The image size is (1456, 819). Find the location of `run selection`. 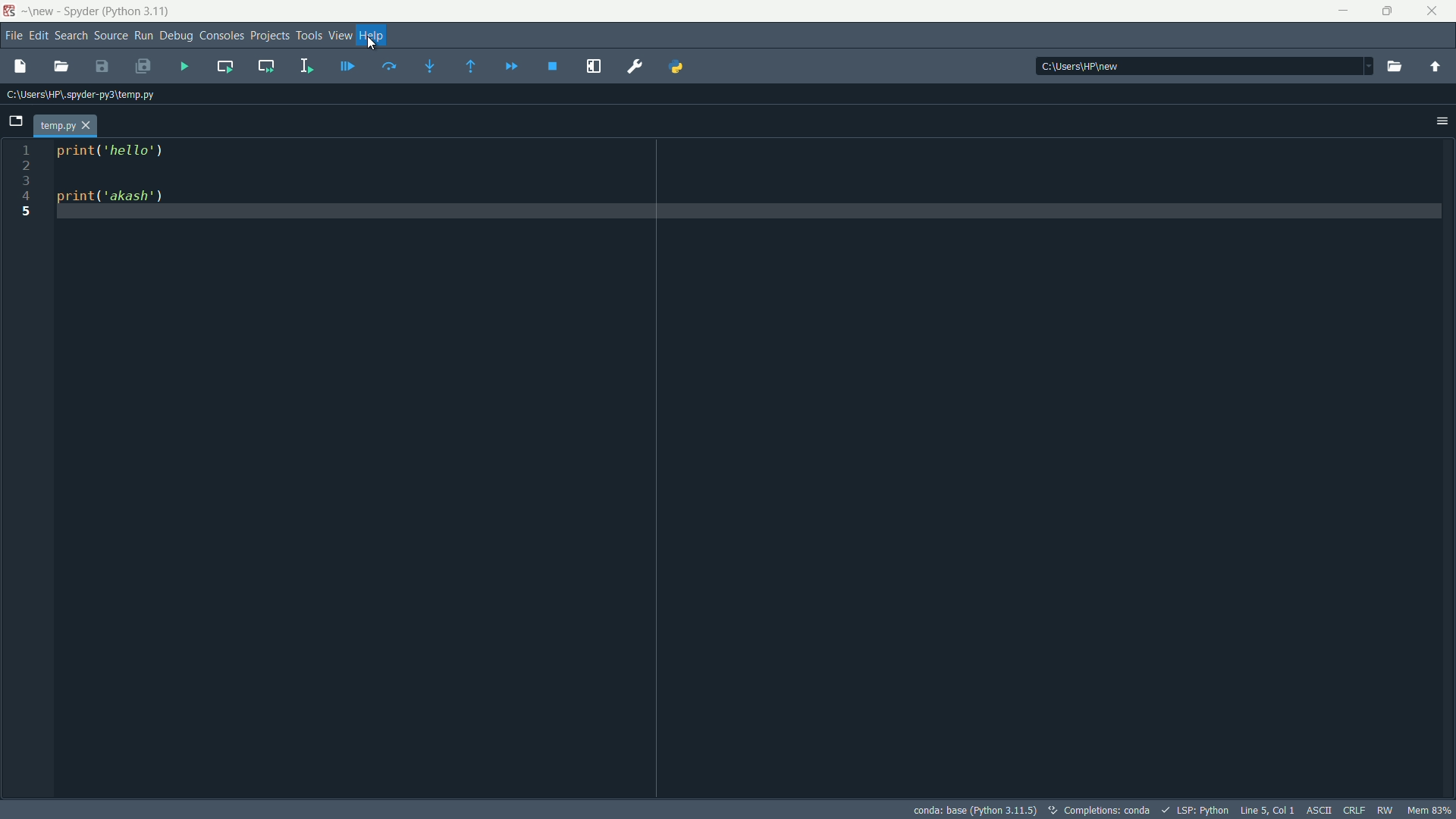

run selection is located at coordinates (304, 66).